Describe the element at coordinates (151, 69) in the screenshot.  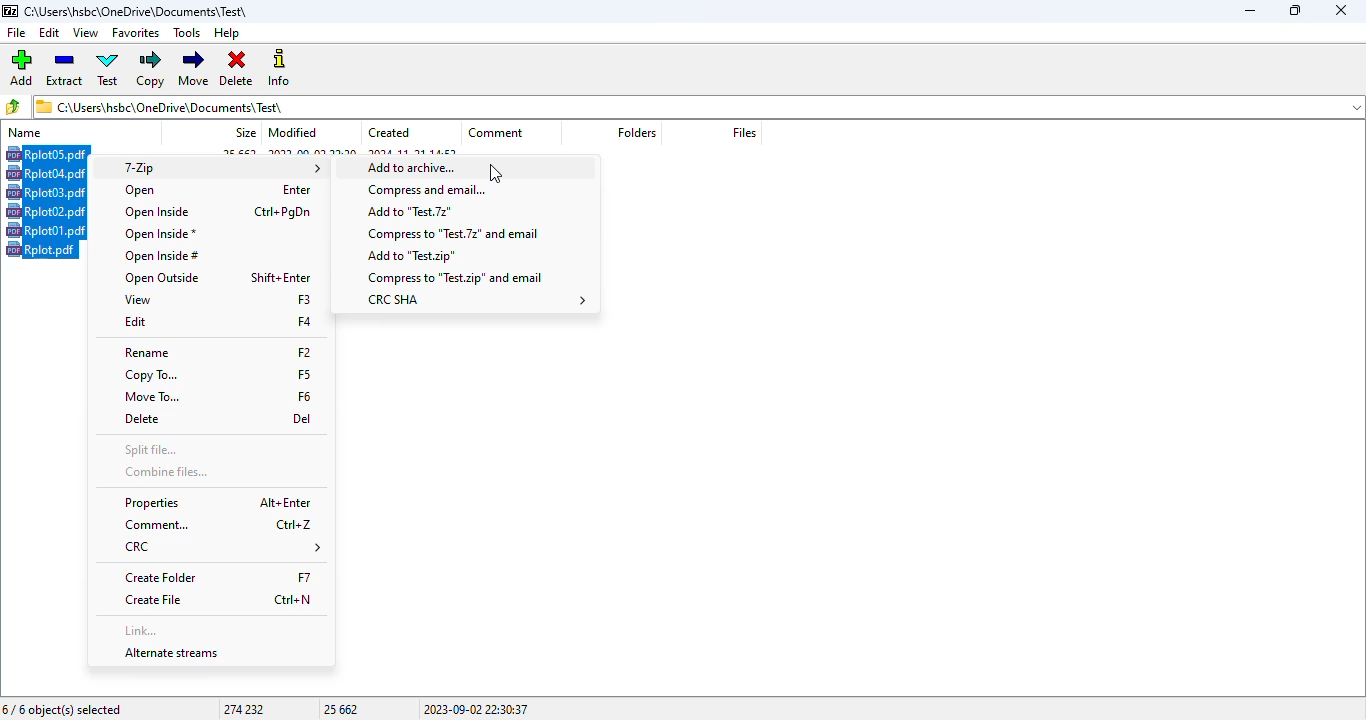
I see `copy` at that location.